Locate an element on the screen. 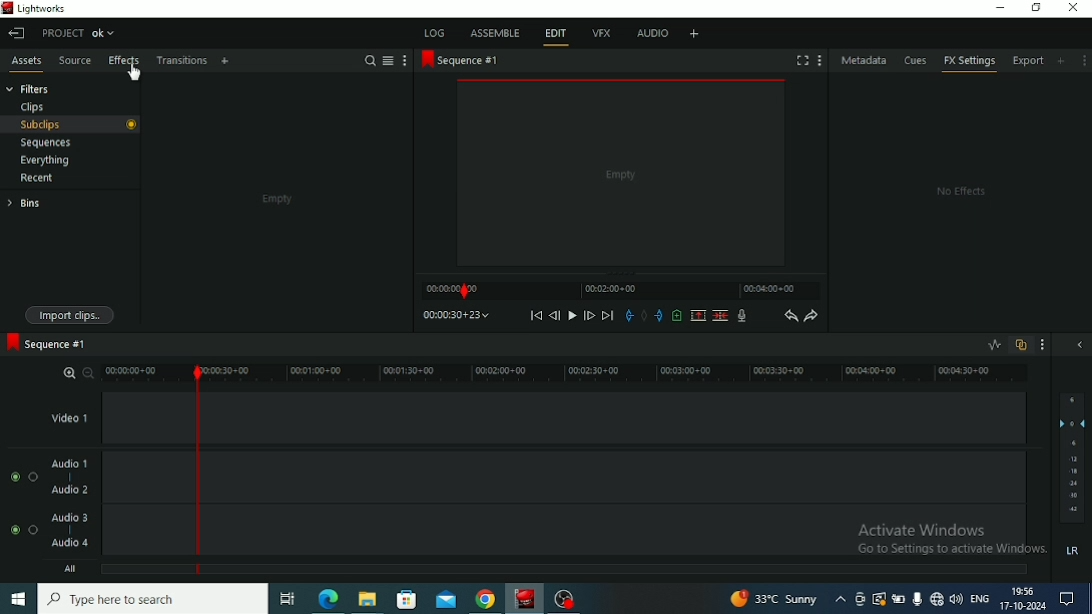  Add a cue at the current position is located at coordinates (677, 315).